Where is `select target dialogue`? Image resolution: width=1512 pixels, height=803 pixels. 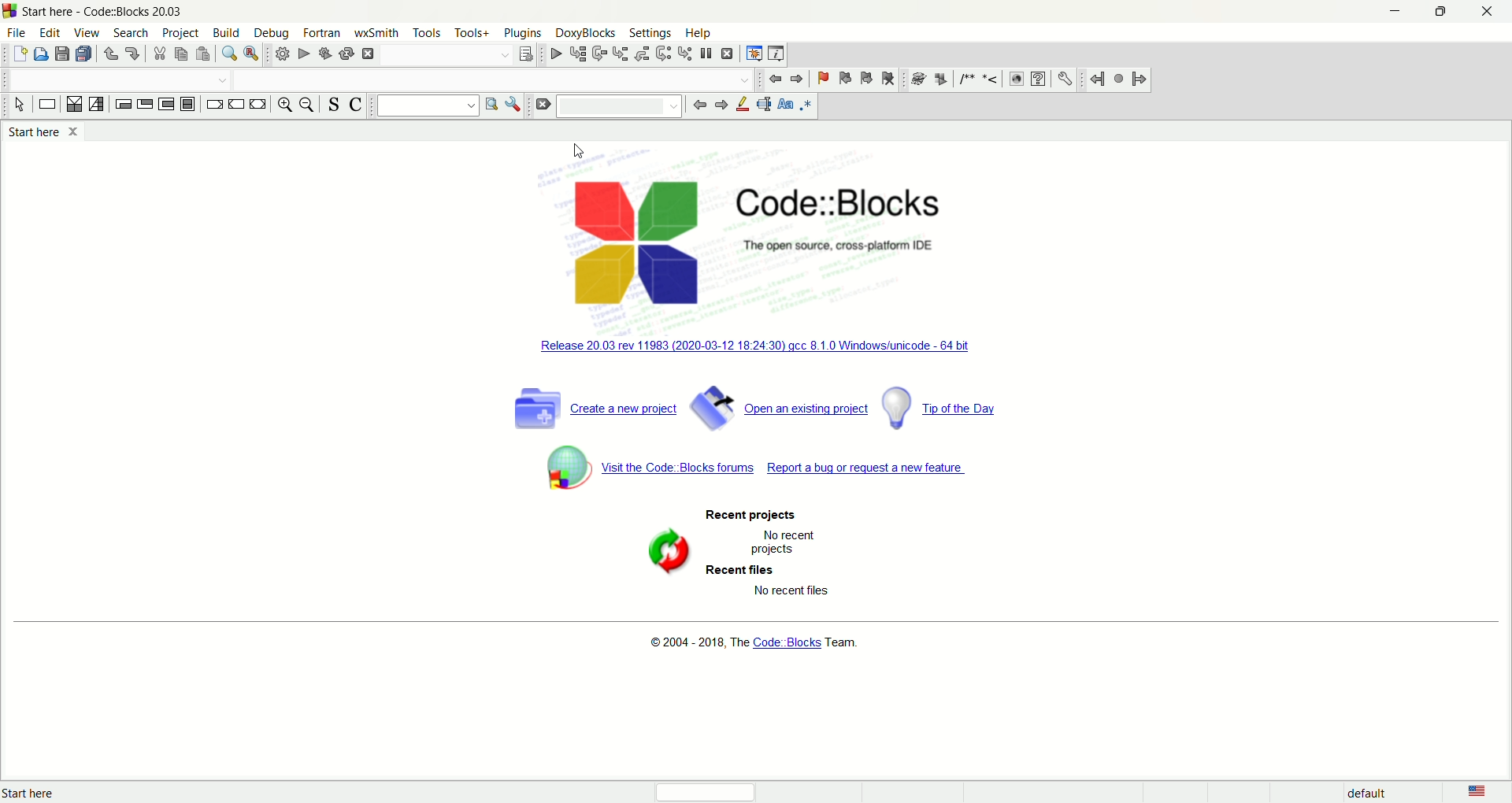 select target dialogue is located at coordinates (527, 54).